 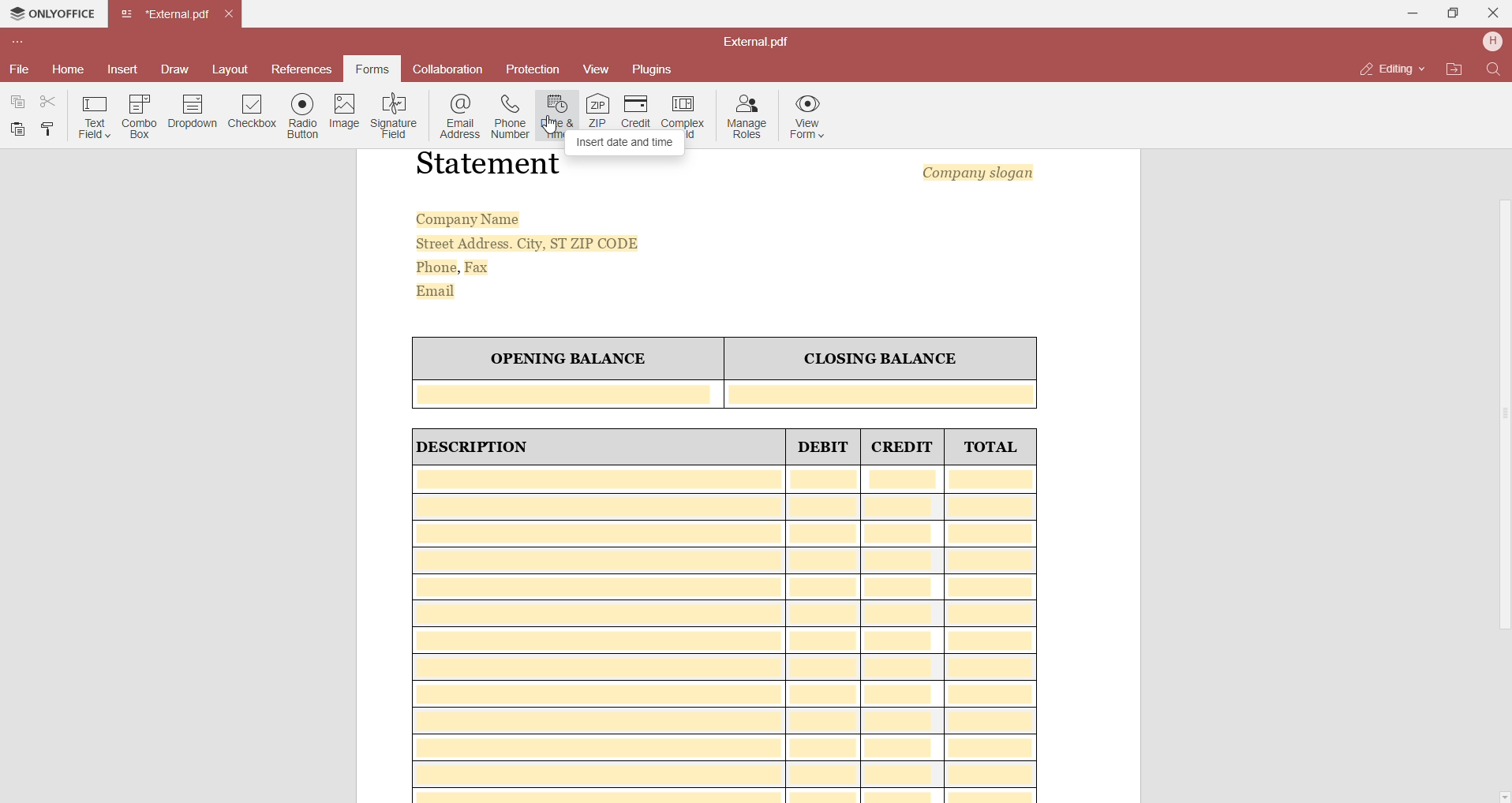 I want to click on File, so click(x=20, y=69).